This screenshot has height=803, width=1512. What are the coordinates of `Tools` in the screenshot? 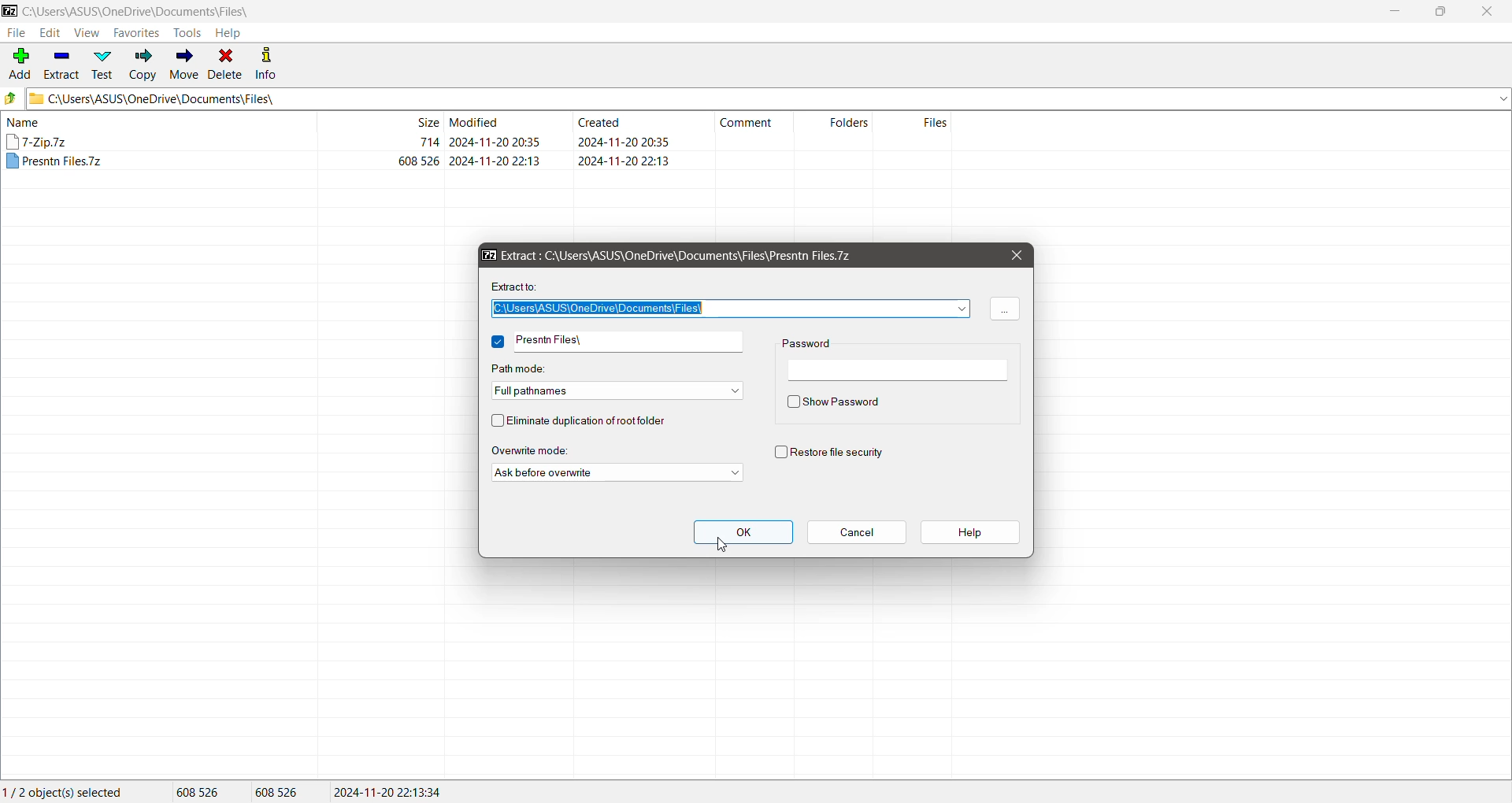 It's located at (187, 33).